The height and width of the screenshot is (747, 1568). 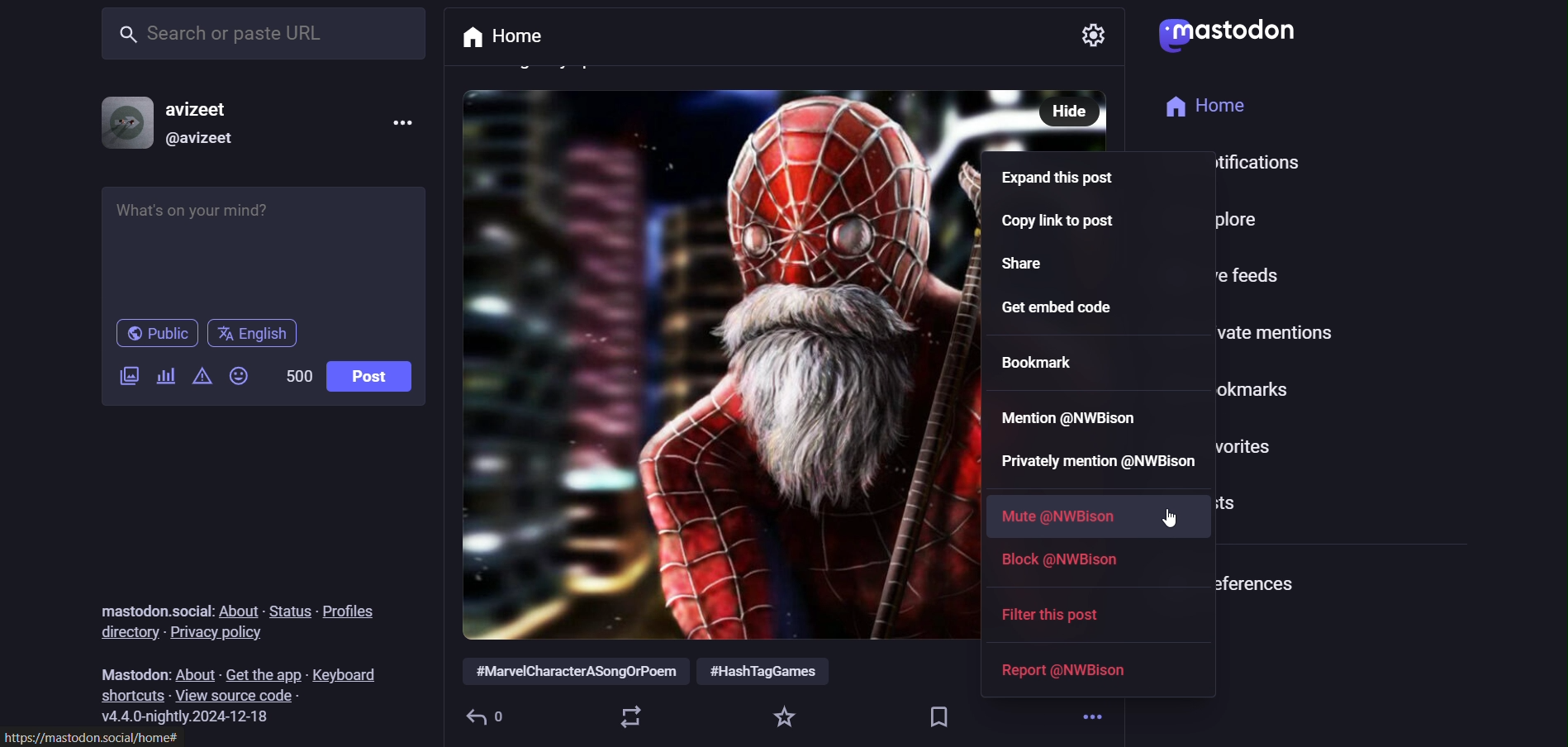 What do you see at coordinates (294, 375) in the screenshot?
I see `word limit` at bounding box center [294, 375].